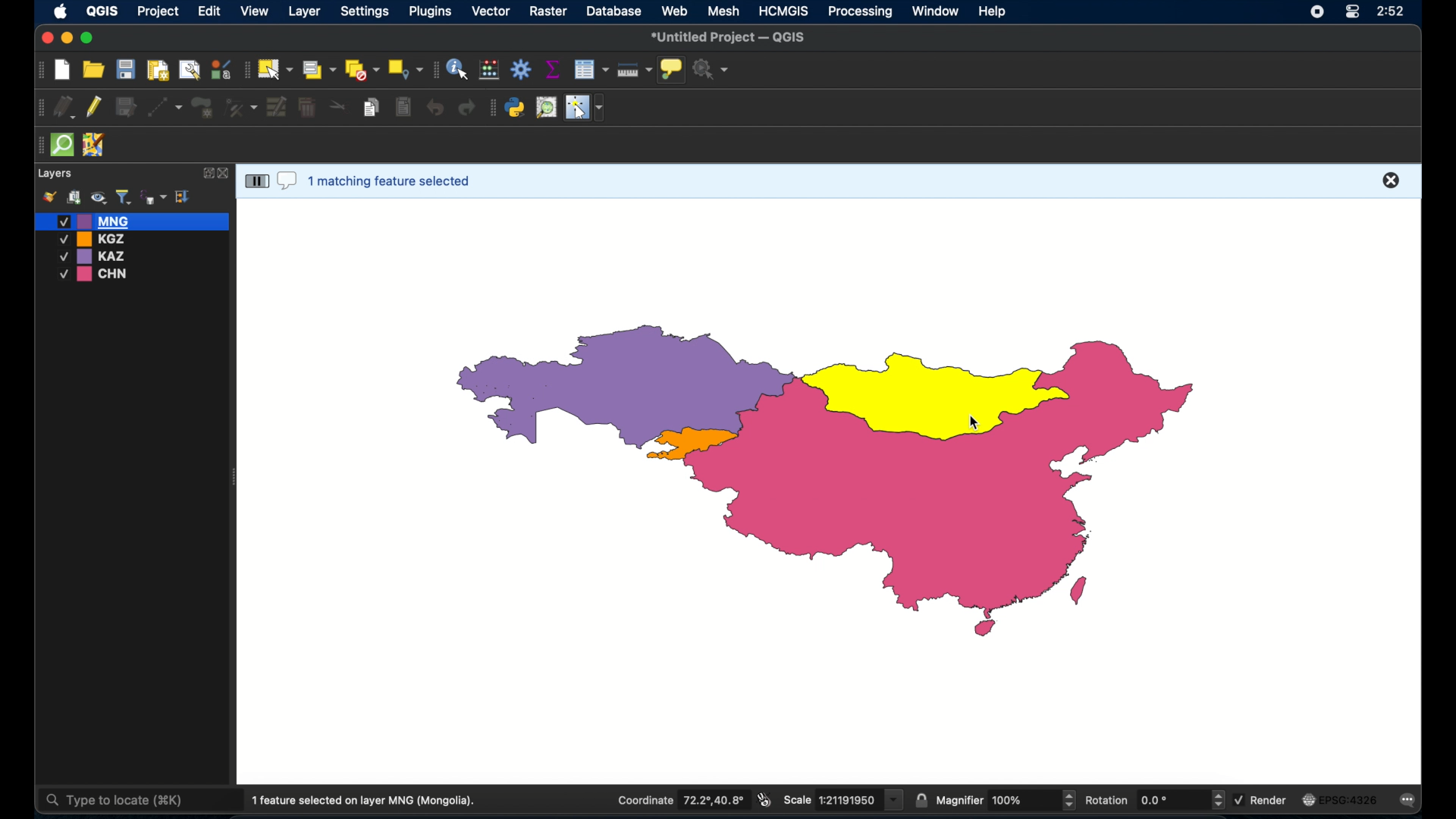 This screenshot has width=1456, height=819. Describe the element at coordinates (1341, 800) in the screenshot. I see `EPSG:4326` at that location.